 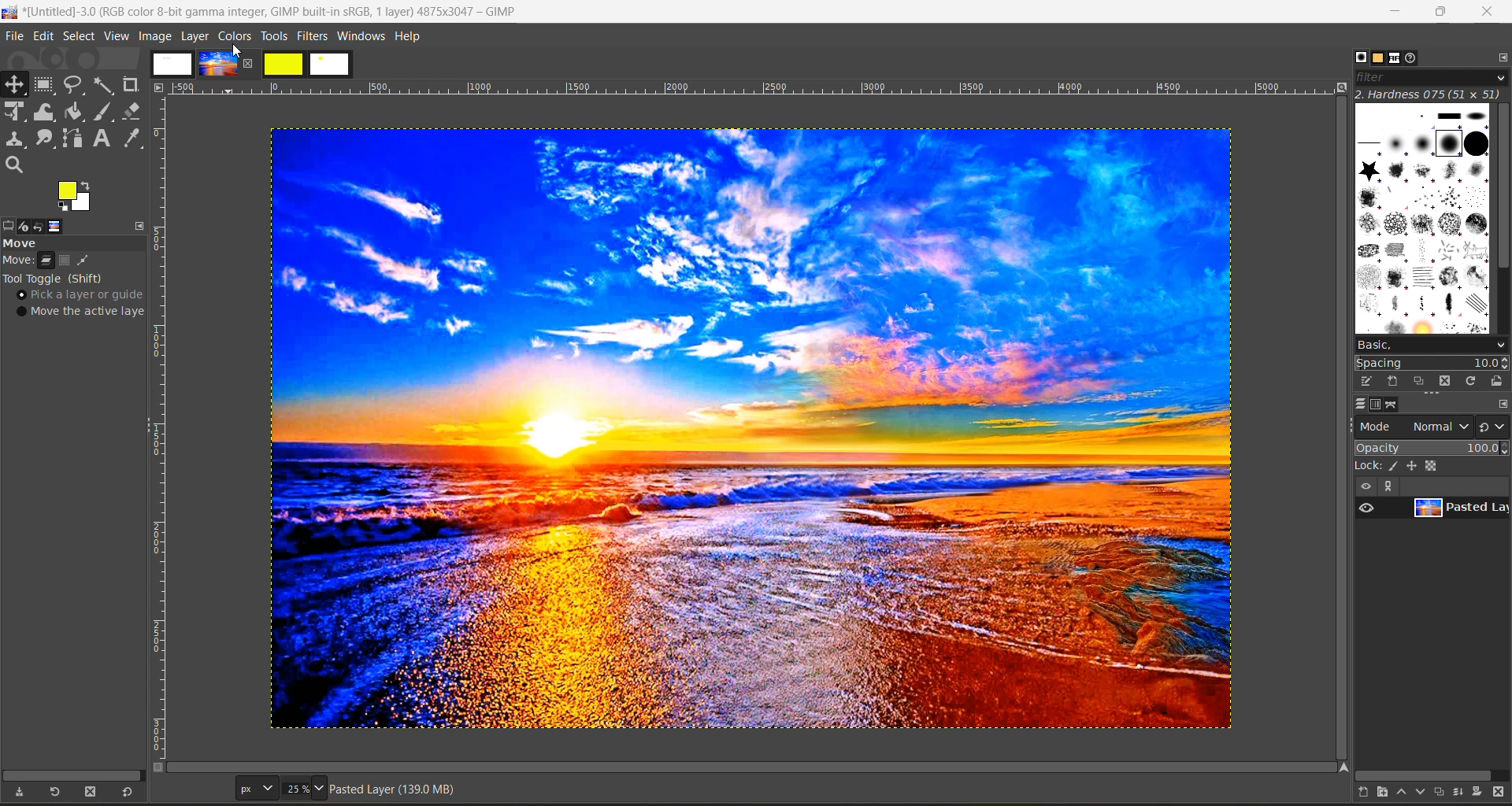 What do you see at coordinates (32, 242) in the screenshot?
I see `move` at bounding box center [32, 242].